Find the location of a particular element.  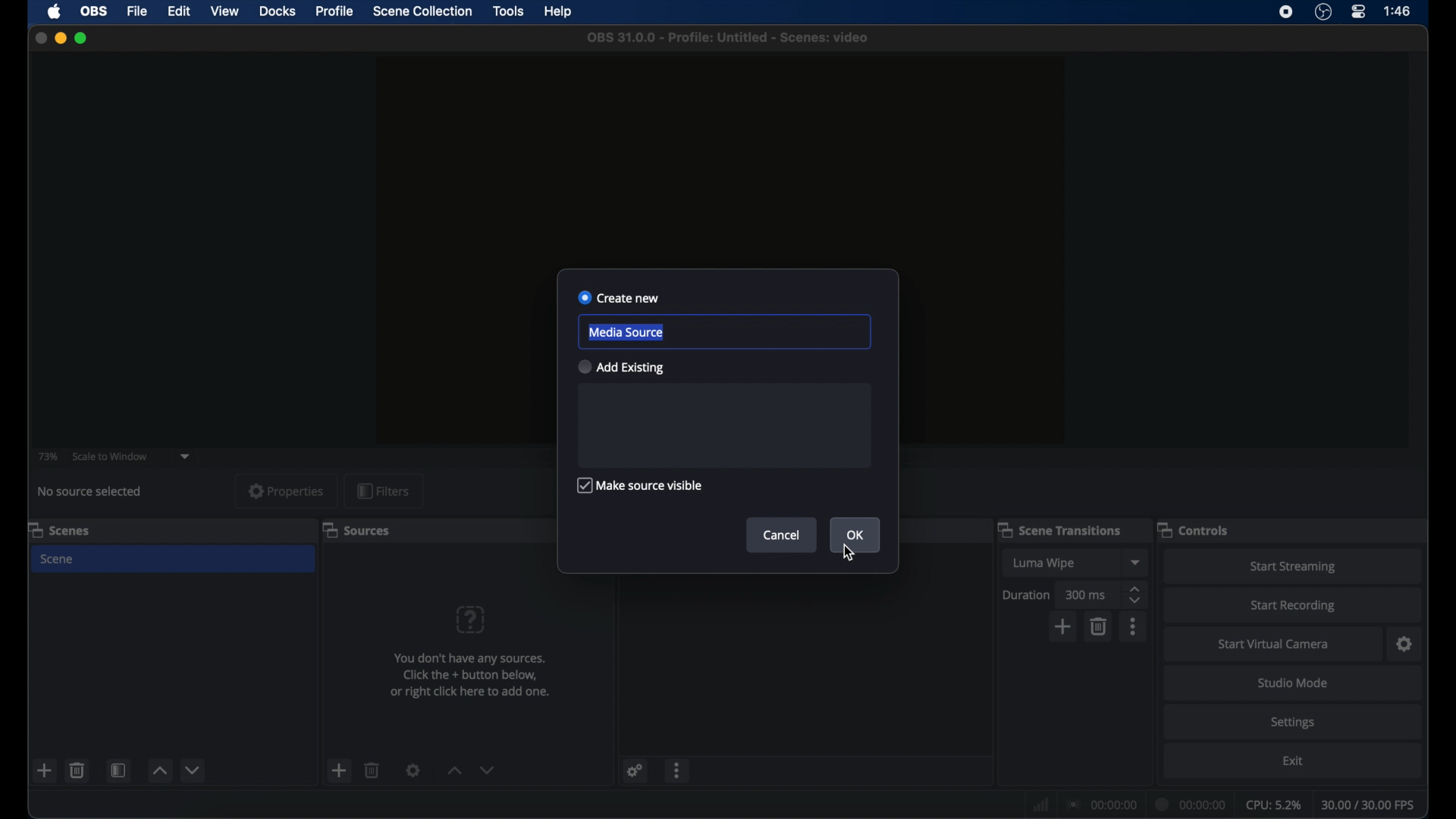

ok is located at coordinates (856, 535).